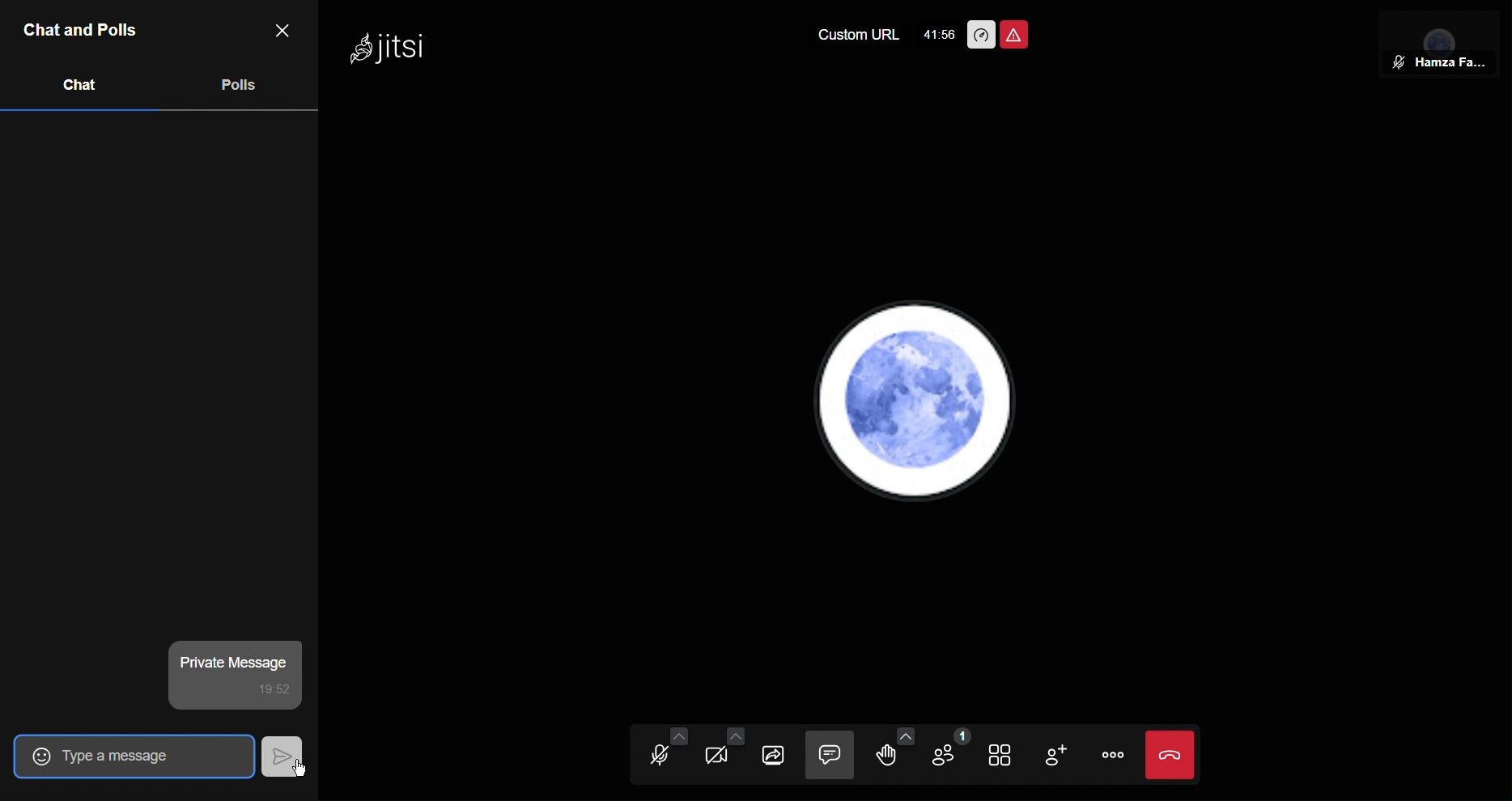 The image size is (1512, 801). What do you see at coordinates (721, 752) in the screenshot?
I see `Video` at bounding box center [721, 752].